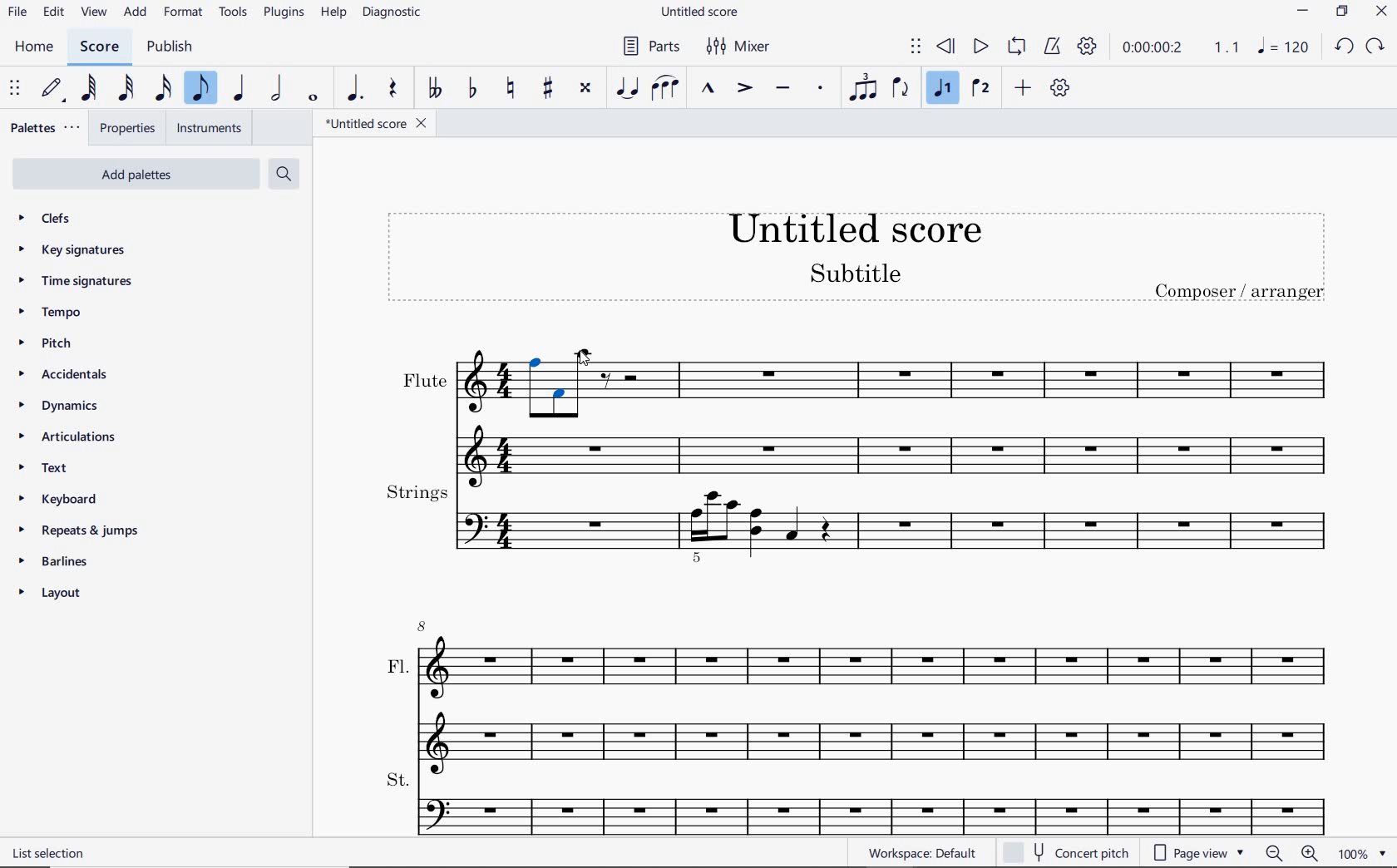 Image resolution: width=1397 pixels, height=868 pixels. Describe the element at coordinates (76, 530) in the screenshot. I see `repeats & jumps` at that location.